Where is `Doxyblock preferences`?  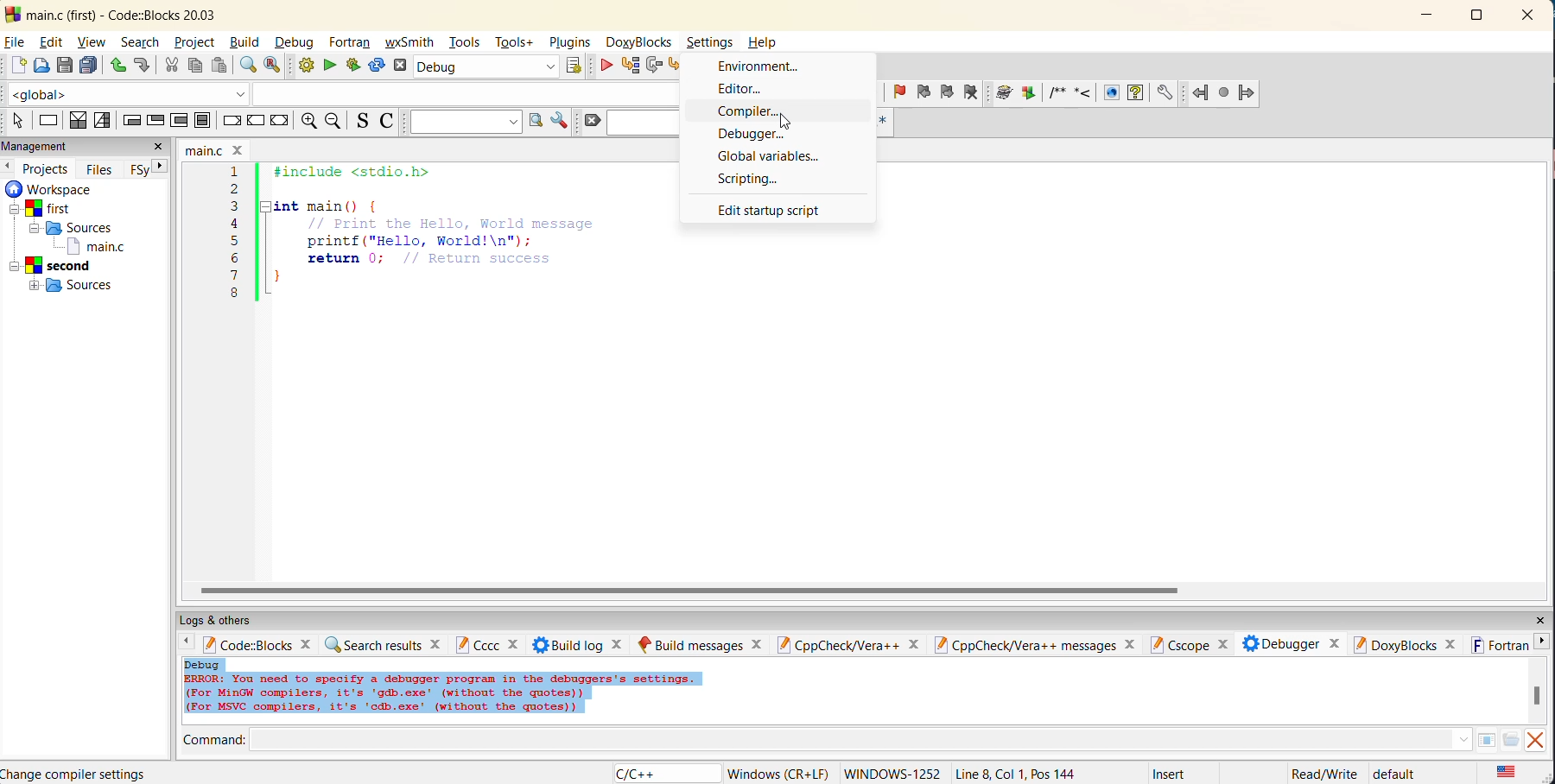 Doxyblock preferences is located at coordinates (1166, 92).